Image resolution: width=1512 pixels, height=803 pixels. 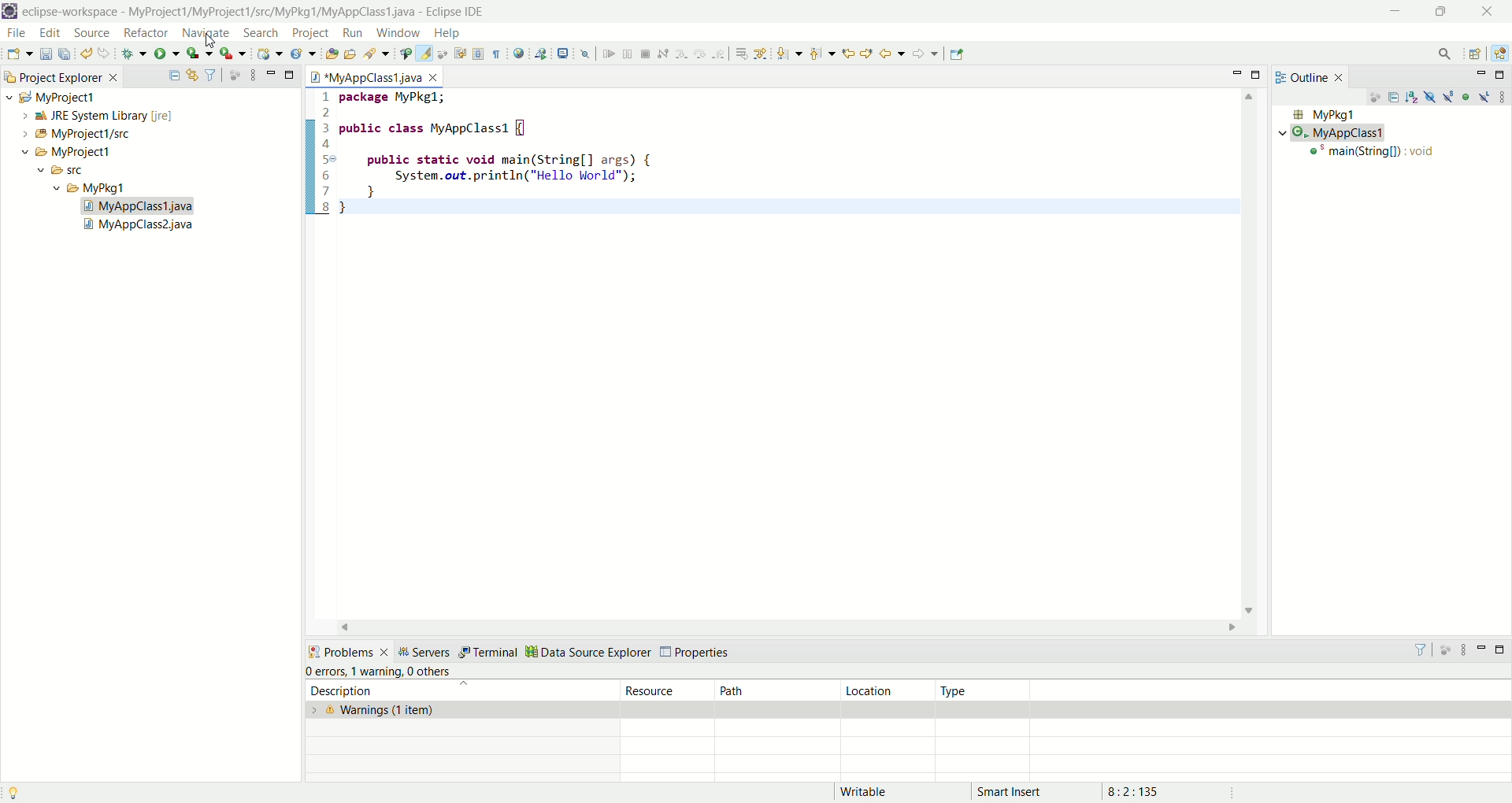 What do you see at coordinates (347, 650) in the screenshot?
I see `problems` at bounding box center [347, 650].